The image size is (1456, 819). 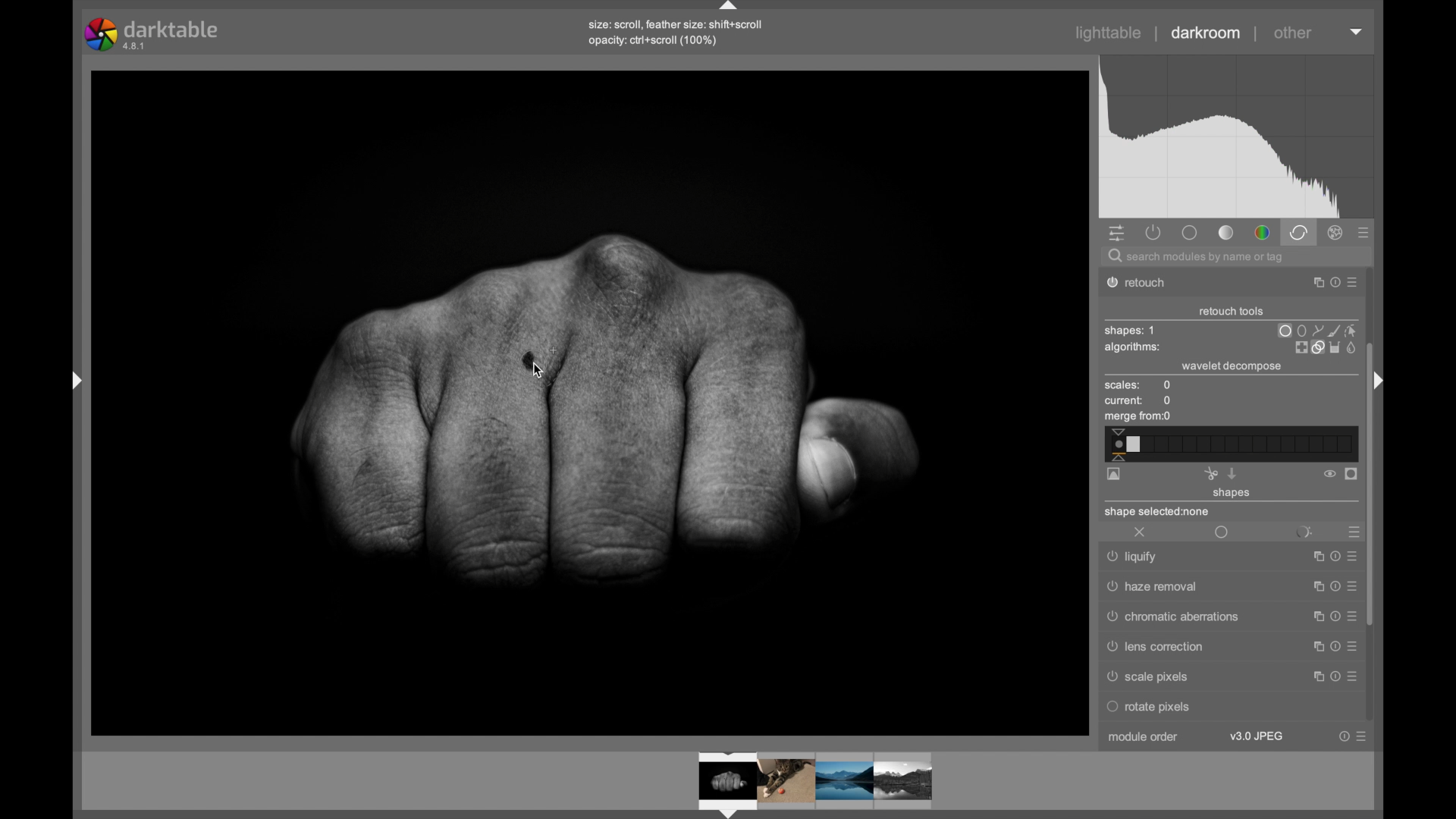 I want to click on maximize, so click(x=1313, y=588).